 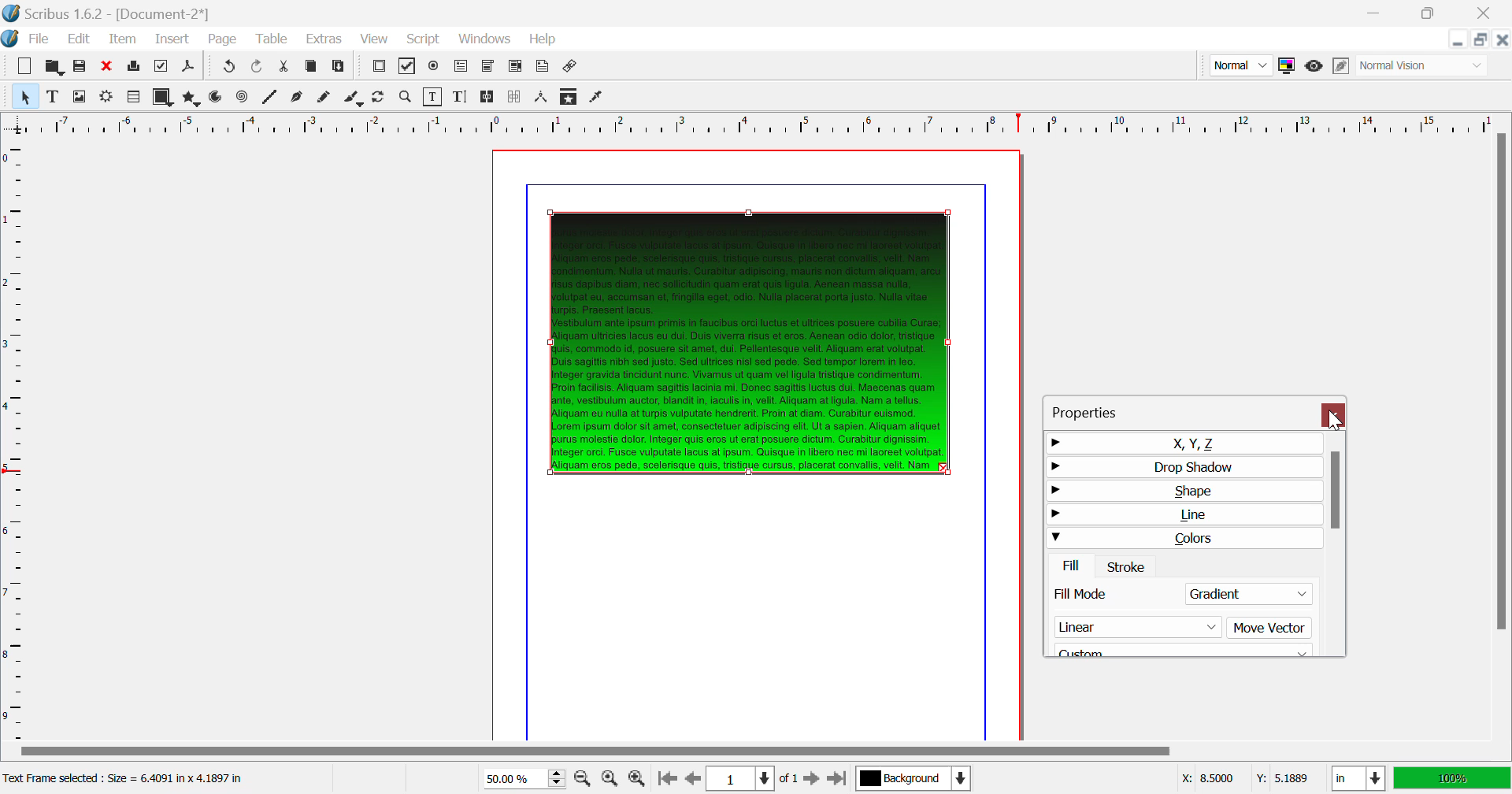 I want to click on First Page, so click(x=665, y=780).